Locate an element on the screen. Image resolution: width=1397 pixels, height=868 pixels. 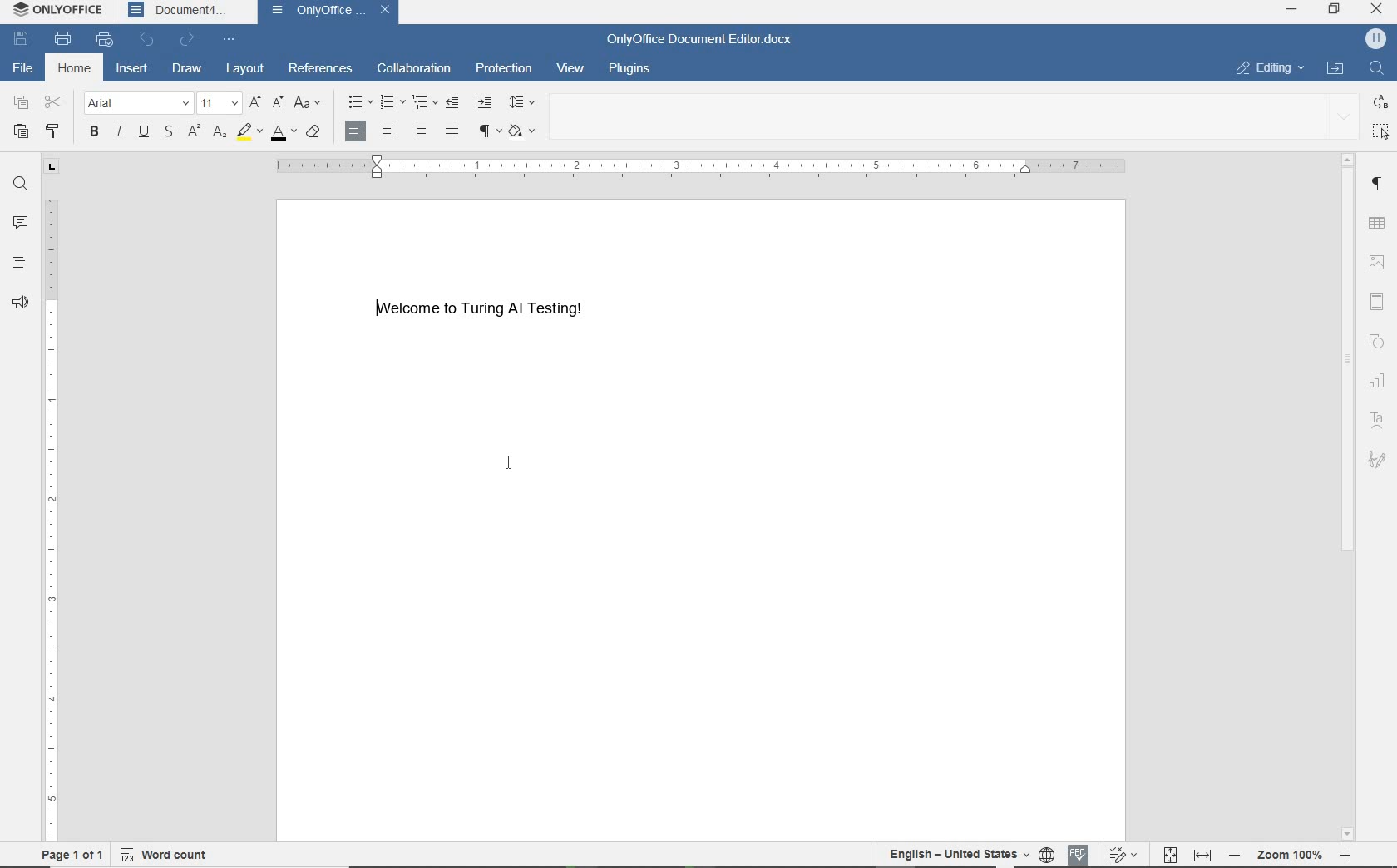
H (User account) is located at coordinates (1377, 40).